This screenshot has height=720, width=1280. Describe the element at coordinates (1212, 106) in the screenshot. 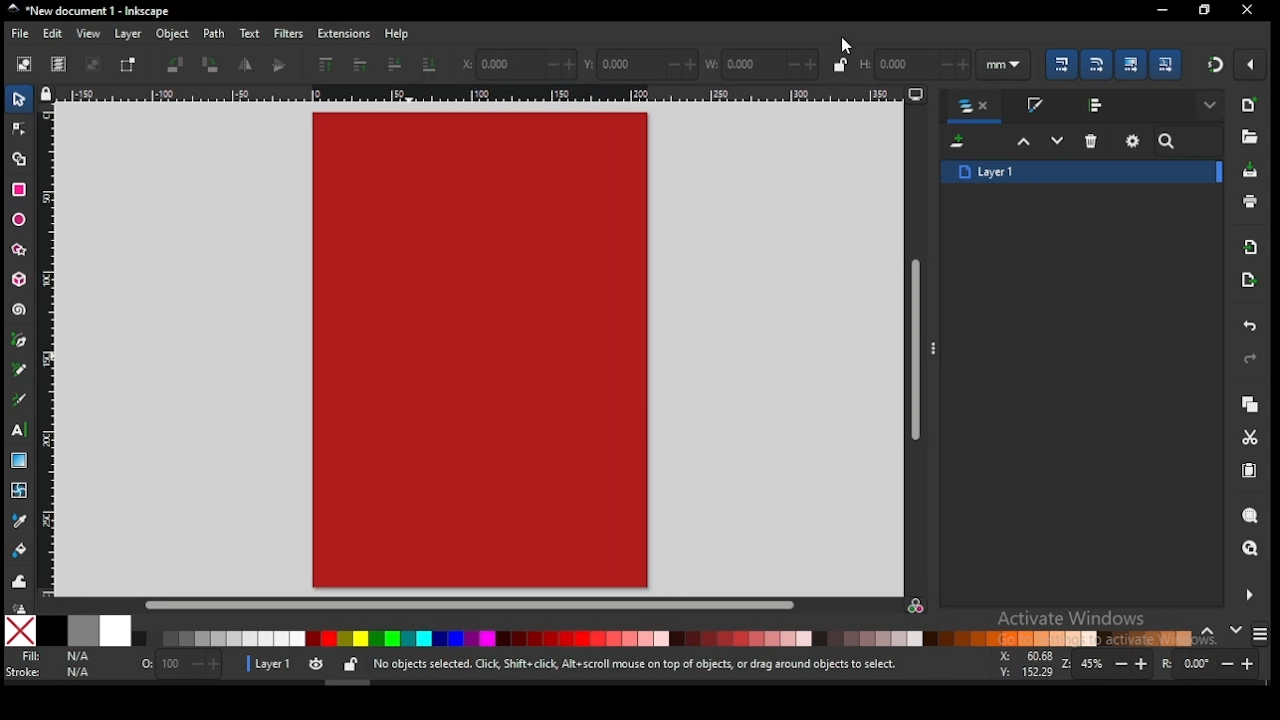

I see `show` at that location.